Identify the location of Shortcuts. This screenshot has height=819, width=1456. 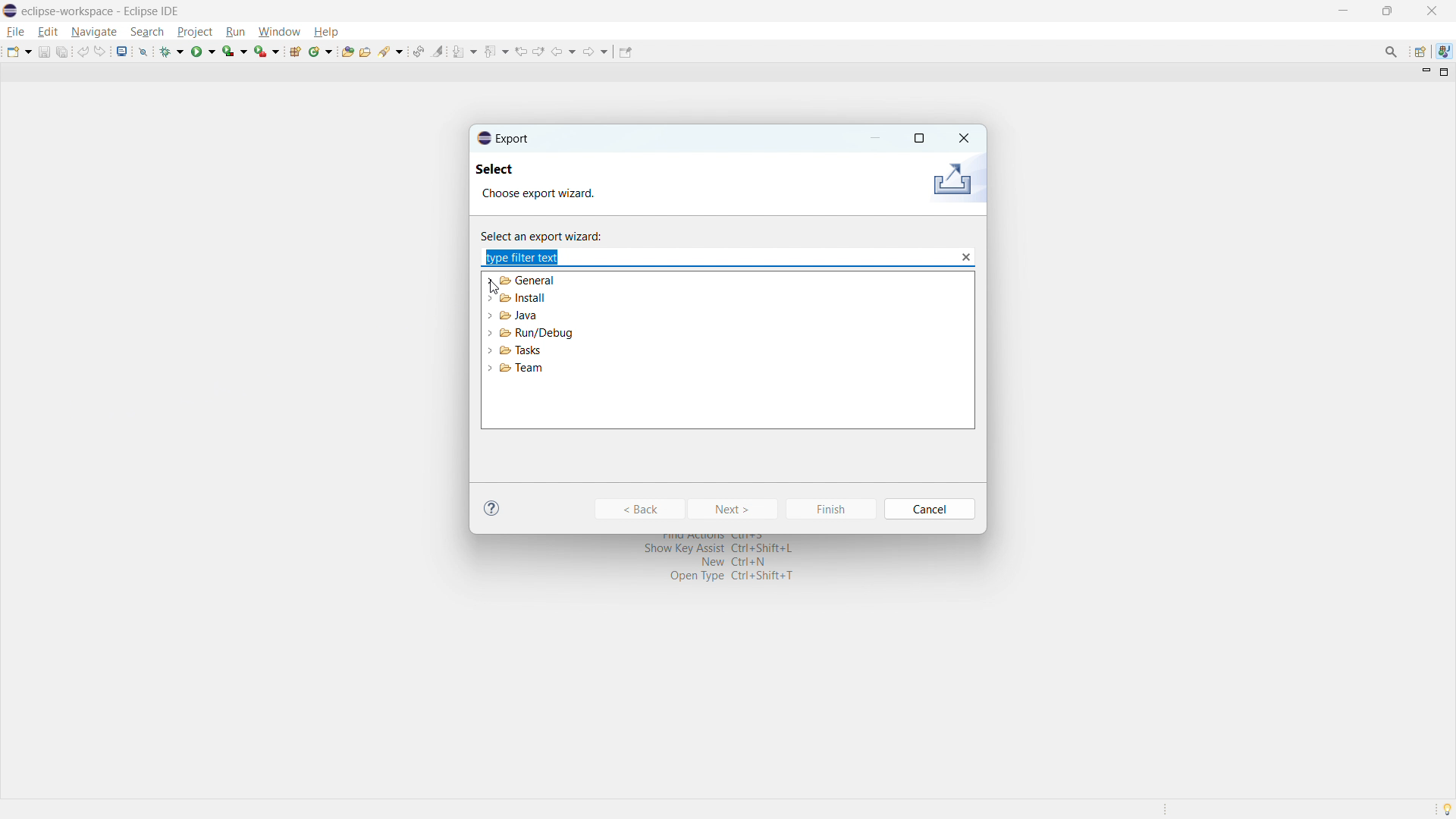
(717, 563).